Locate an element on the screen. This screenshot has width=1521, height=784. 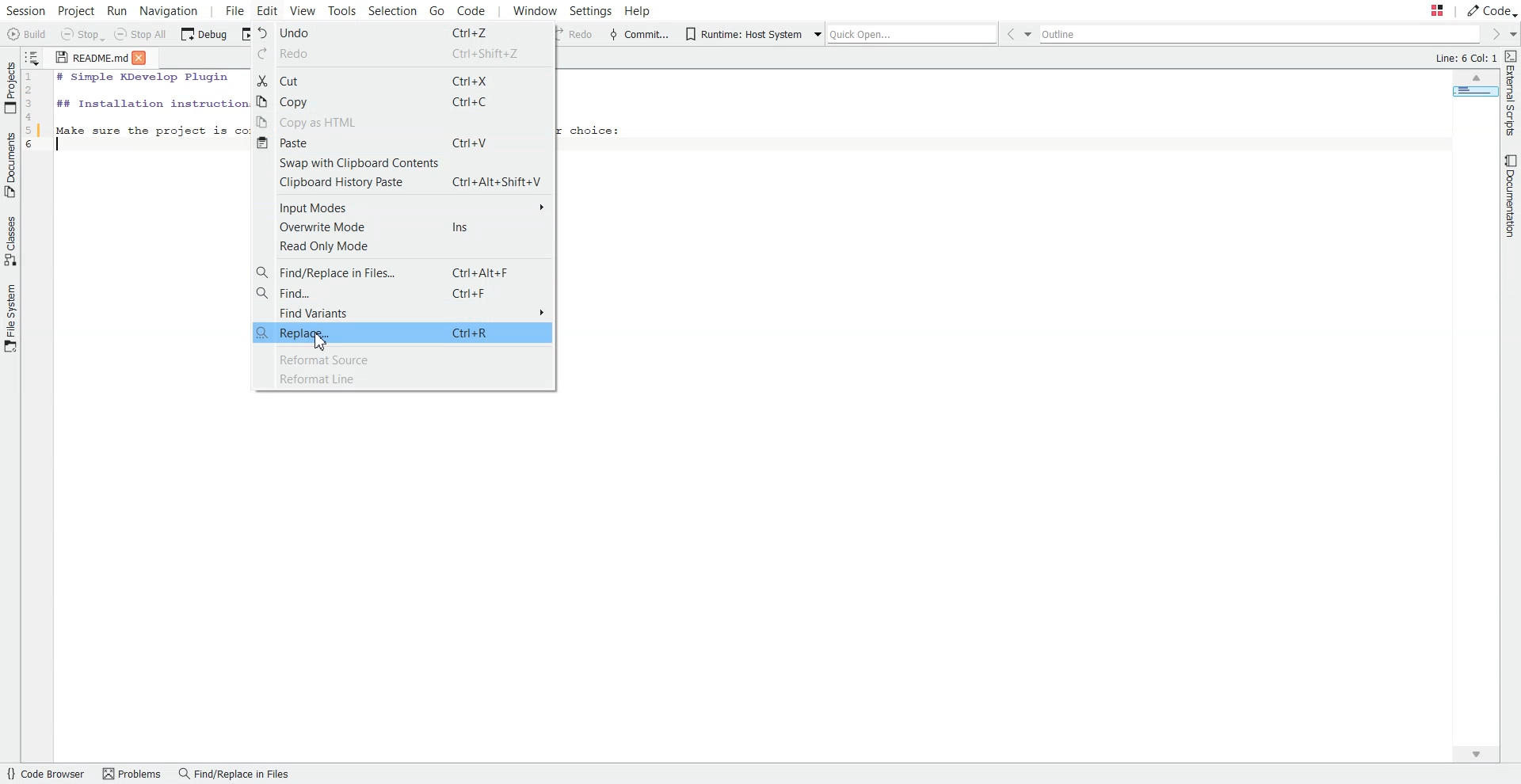
Stop is located at coordinates (82, 36).